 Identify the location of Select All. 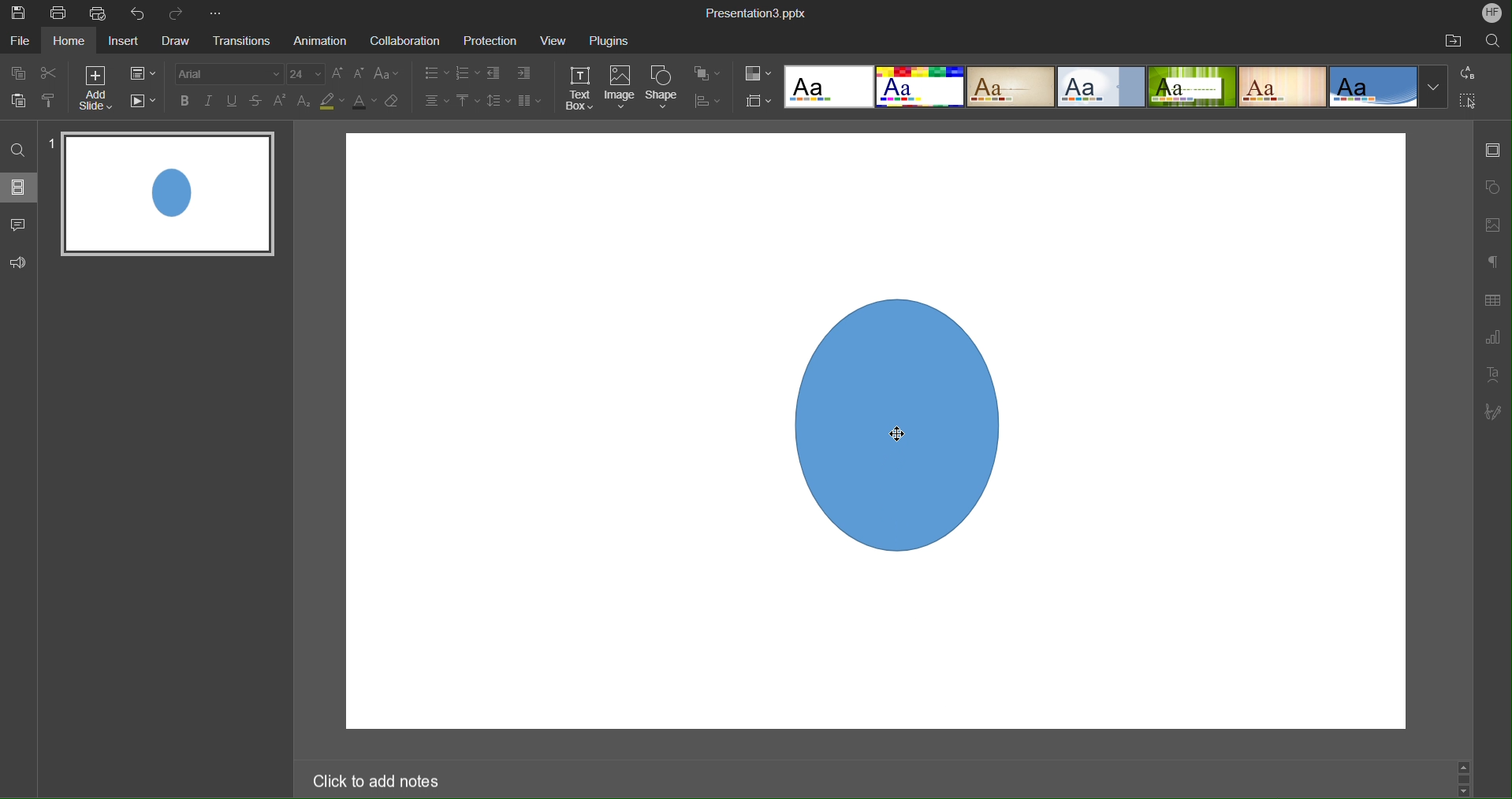
(1468, 101).